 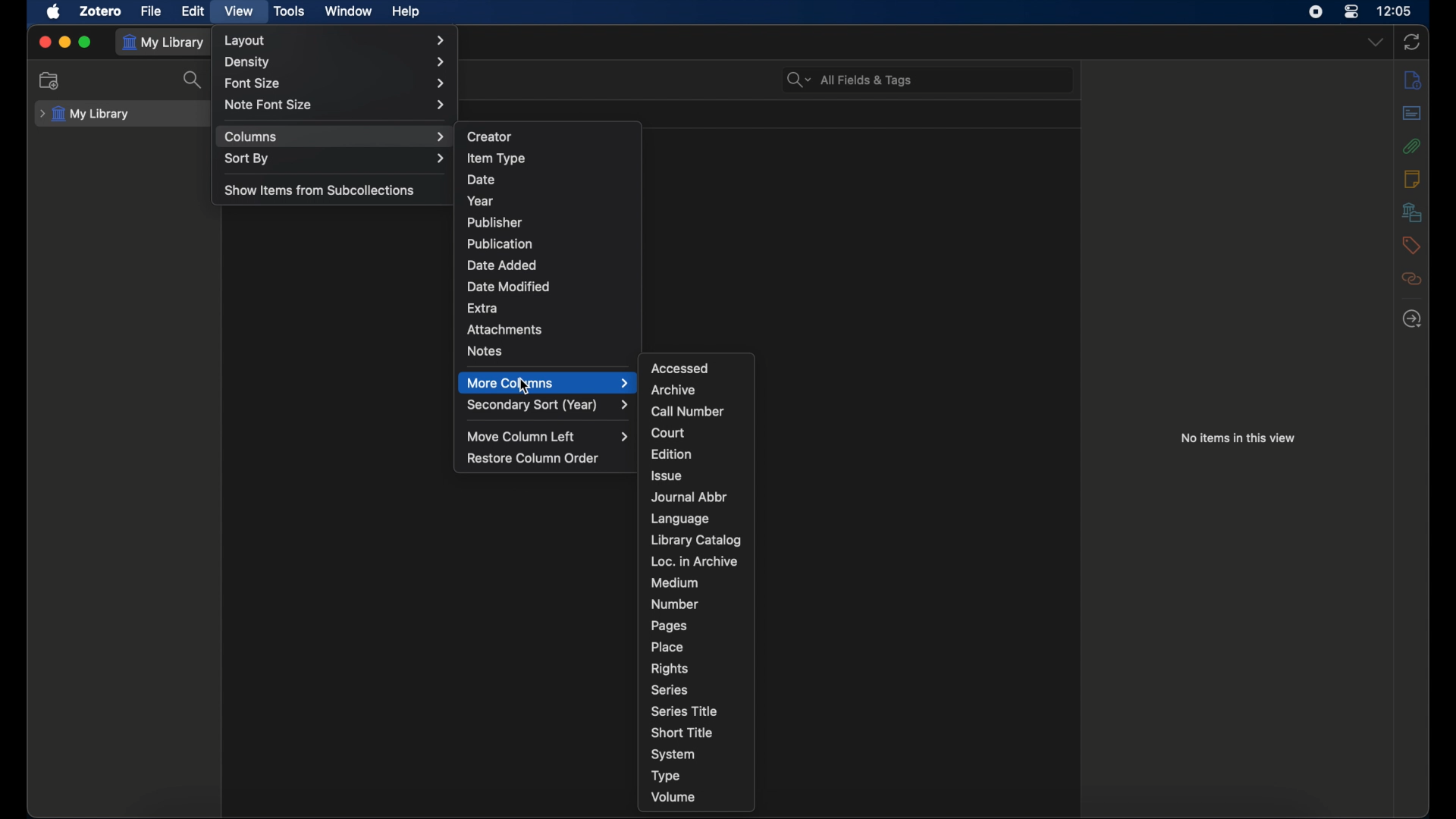 I want to click on pages, so click(x=669, y=626).